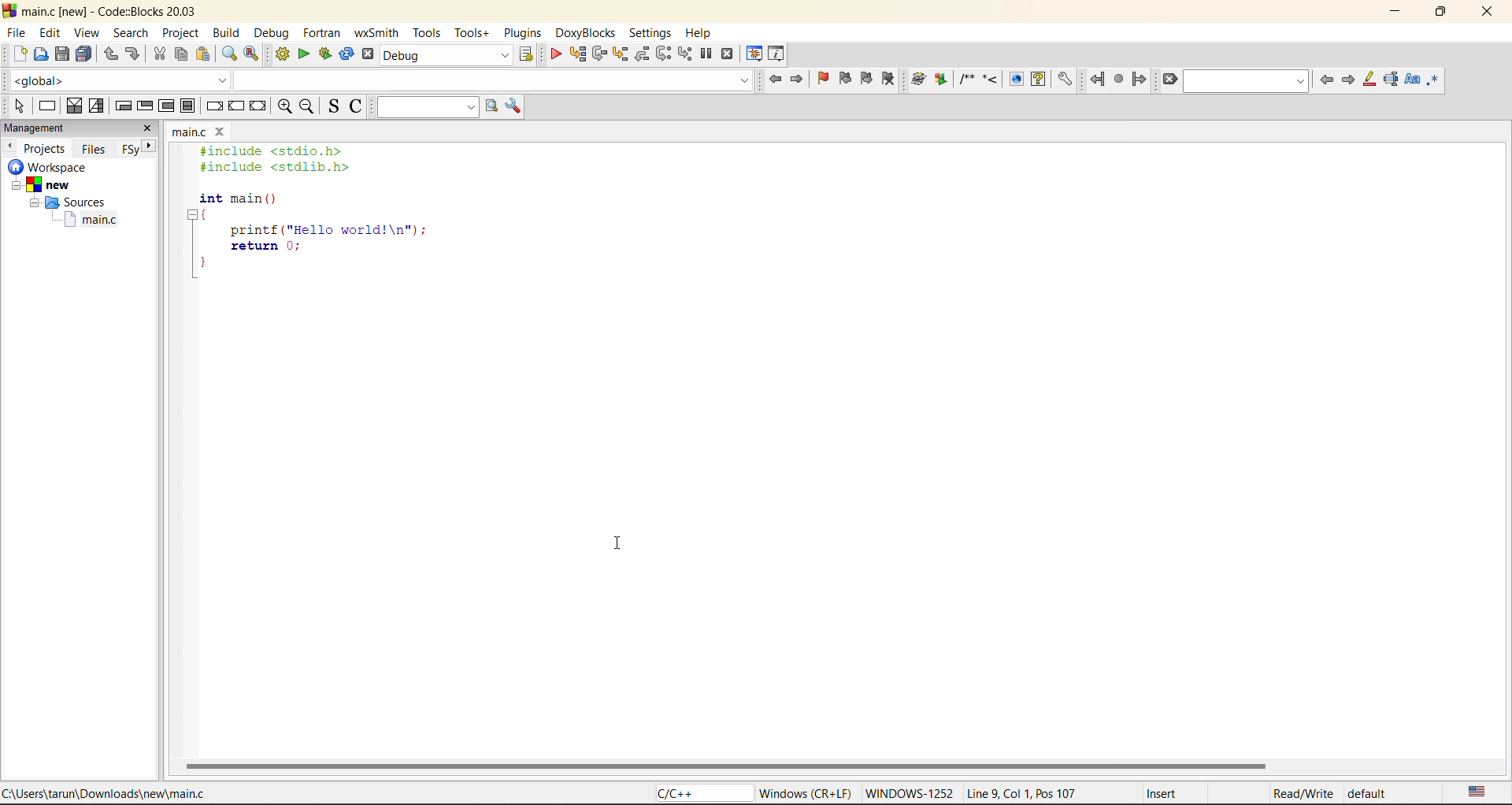 This screenshot has height=805, width=1512. Describe the element at coordinates (869, 80) in the screenshot. I see `next bookmark` at that location.